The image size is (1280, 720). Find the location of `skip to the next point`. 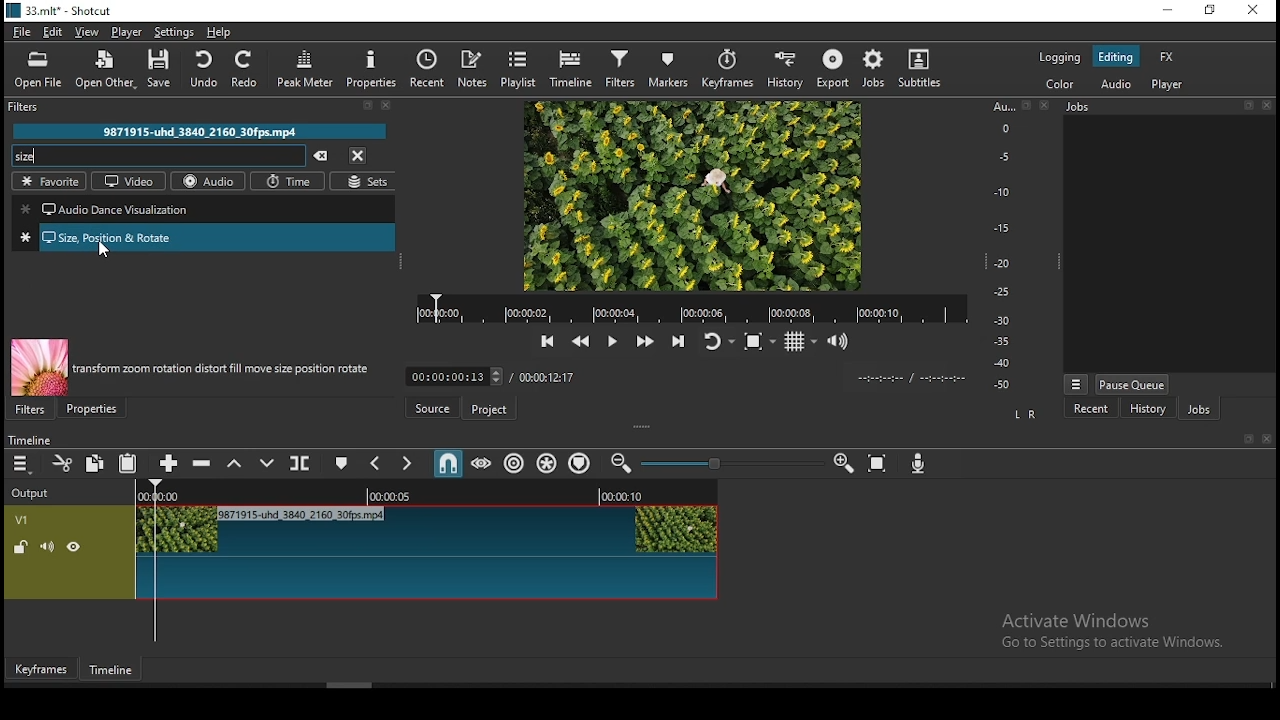

skip to the next point is located at coordinates (677, 340).